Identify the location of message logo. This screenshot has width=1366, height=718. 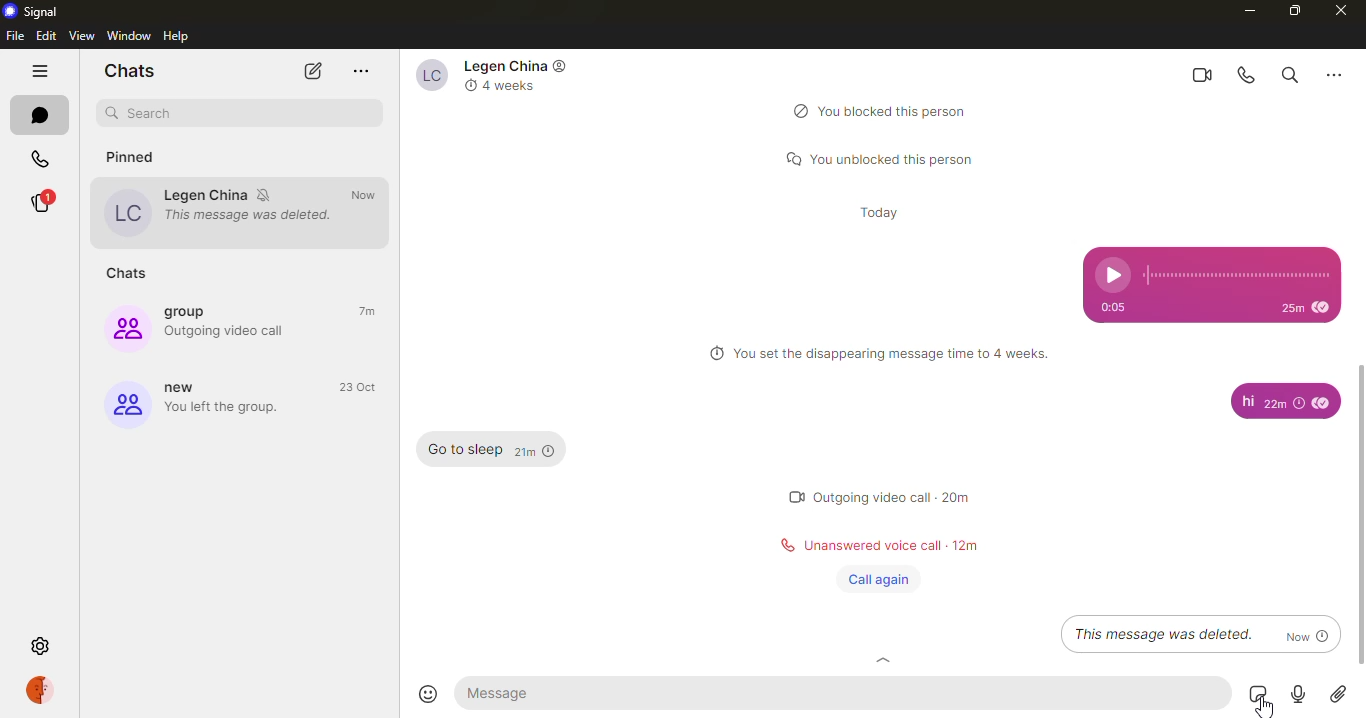
(787, 158).